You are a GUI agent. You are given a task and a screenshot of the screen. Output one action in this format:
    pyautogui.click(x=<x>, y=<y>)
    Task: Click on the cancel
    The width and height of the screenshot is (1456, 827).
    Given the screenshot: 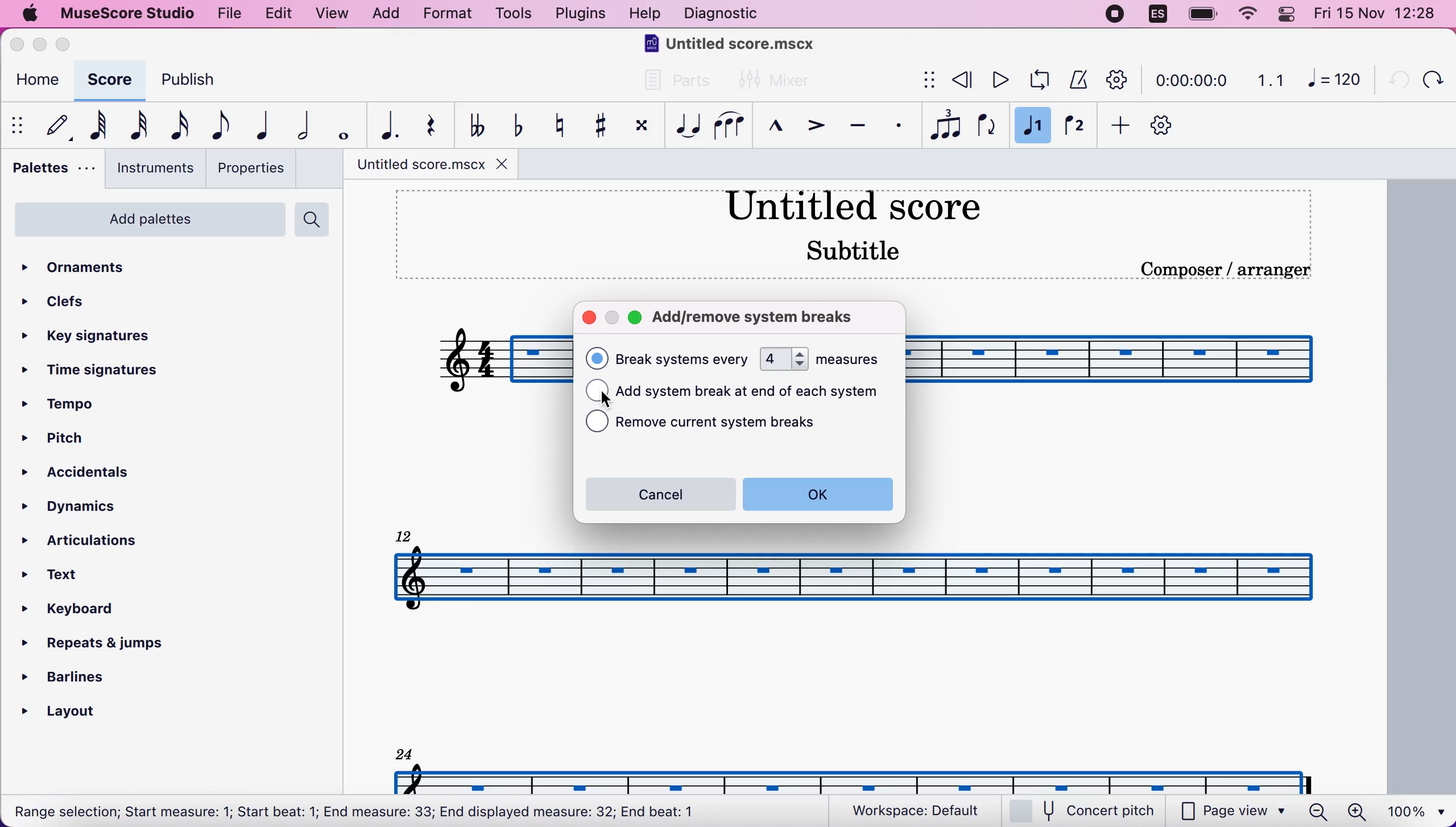 What is the action you would take?
    pyautogui.click(x=659, y=494)
    